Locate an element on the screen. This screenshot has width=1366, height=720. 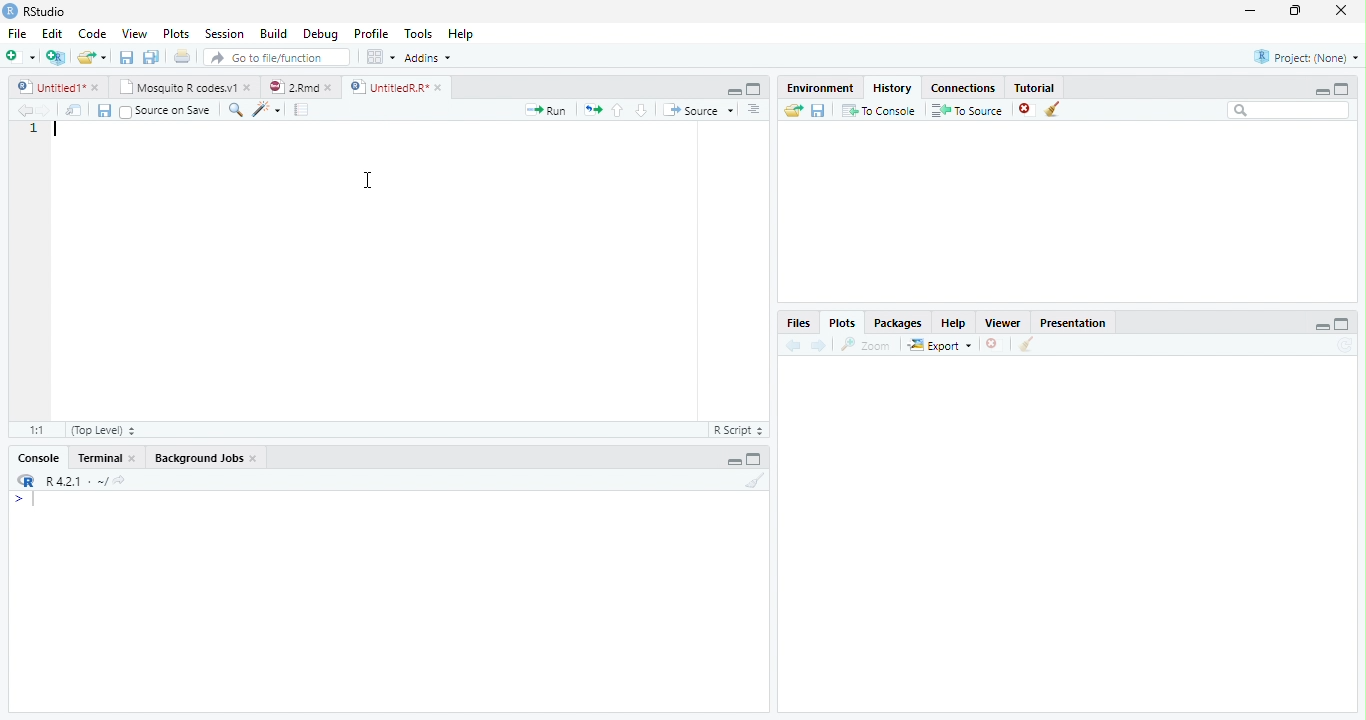
Profile is located at coordinates (372, 34).